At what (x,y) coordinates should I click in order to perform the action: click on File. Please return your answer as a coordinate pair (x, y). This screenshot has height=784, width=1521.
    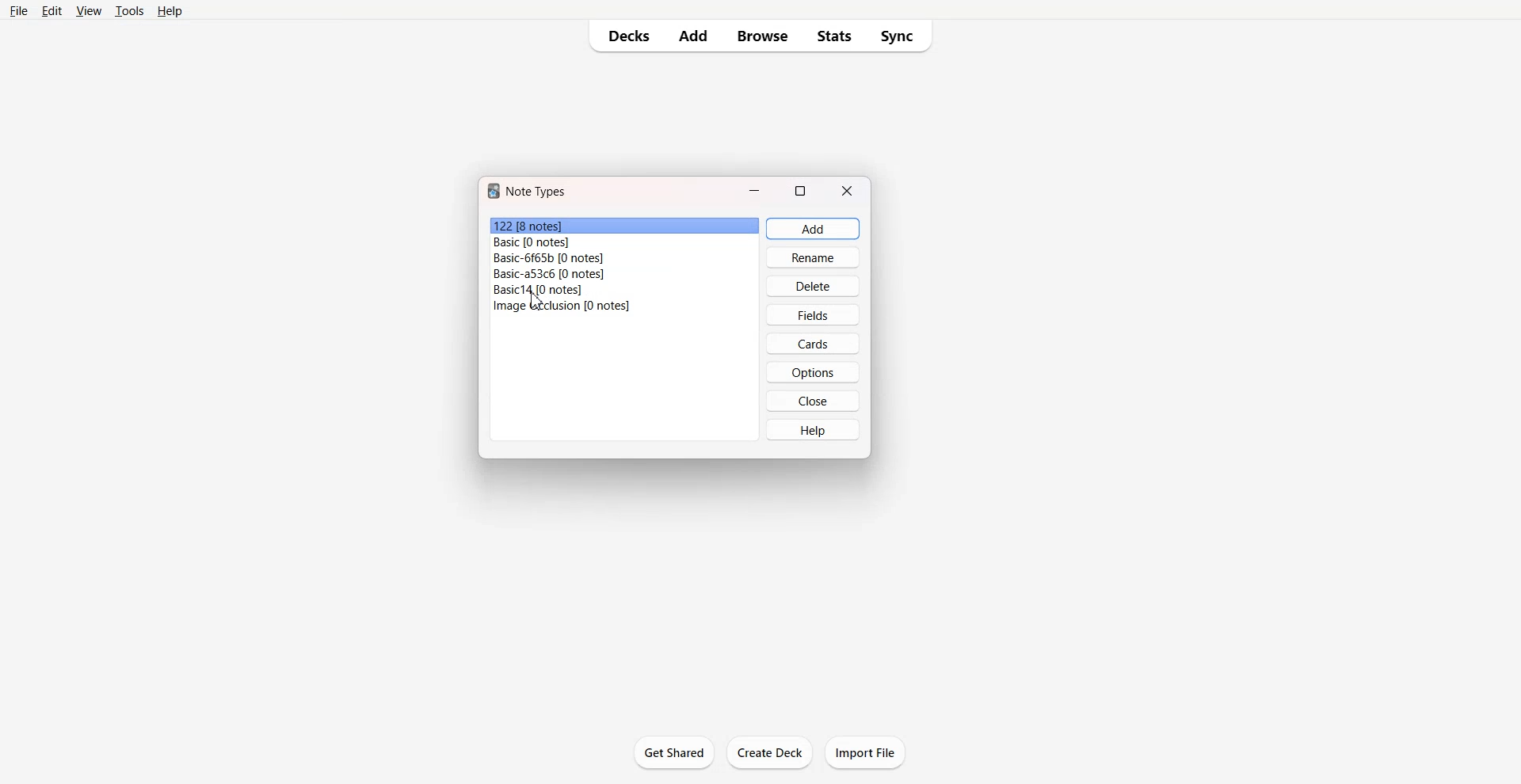
    Looking at the image, I should click on (625, 226).